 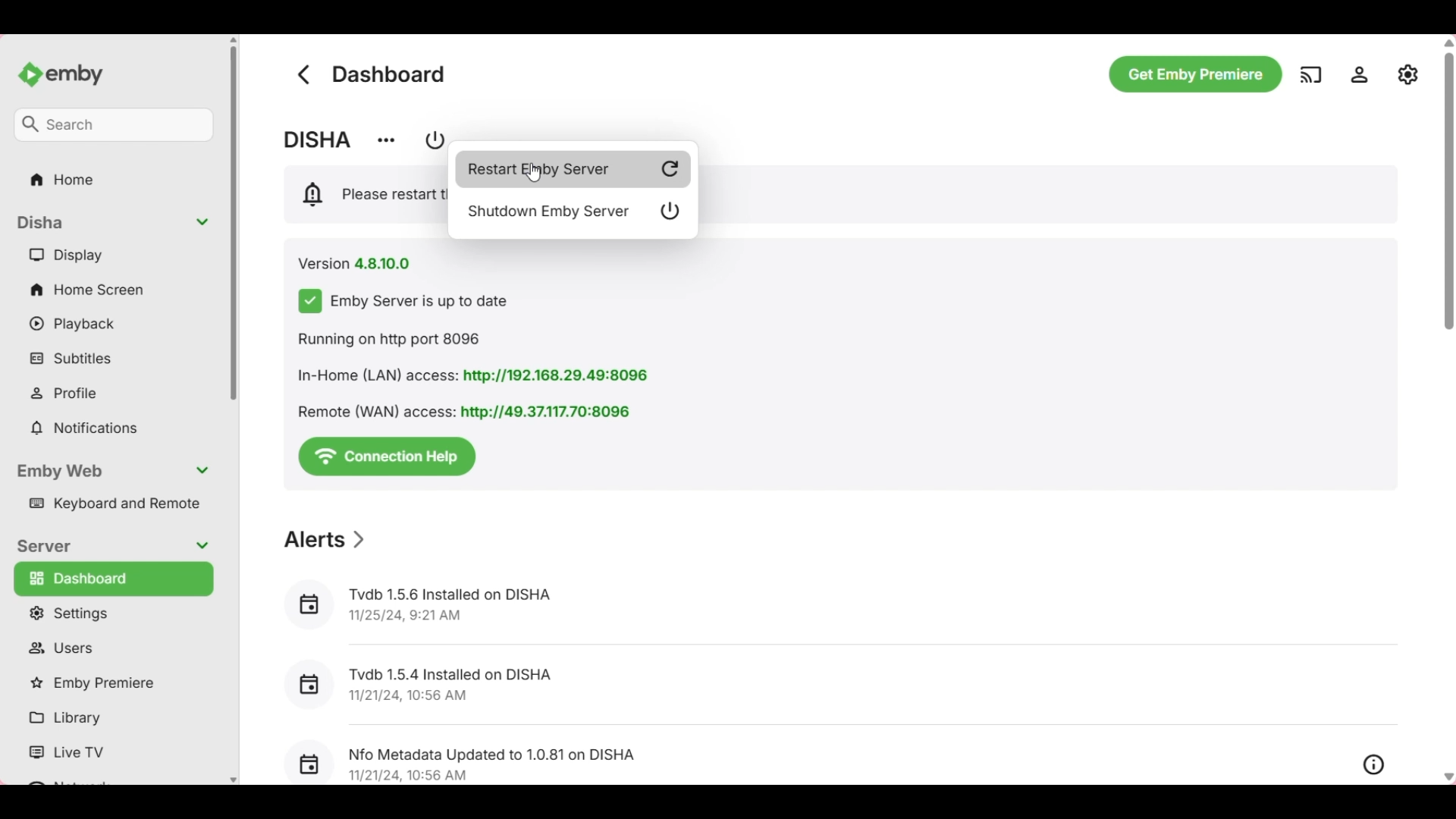 What do you see at coordinates (113, 223) in the screenshot?
I see `Collapse section contents list` at bounding box center [113, 223].